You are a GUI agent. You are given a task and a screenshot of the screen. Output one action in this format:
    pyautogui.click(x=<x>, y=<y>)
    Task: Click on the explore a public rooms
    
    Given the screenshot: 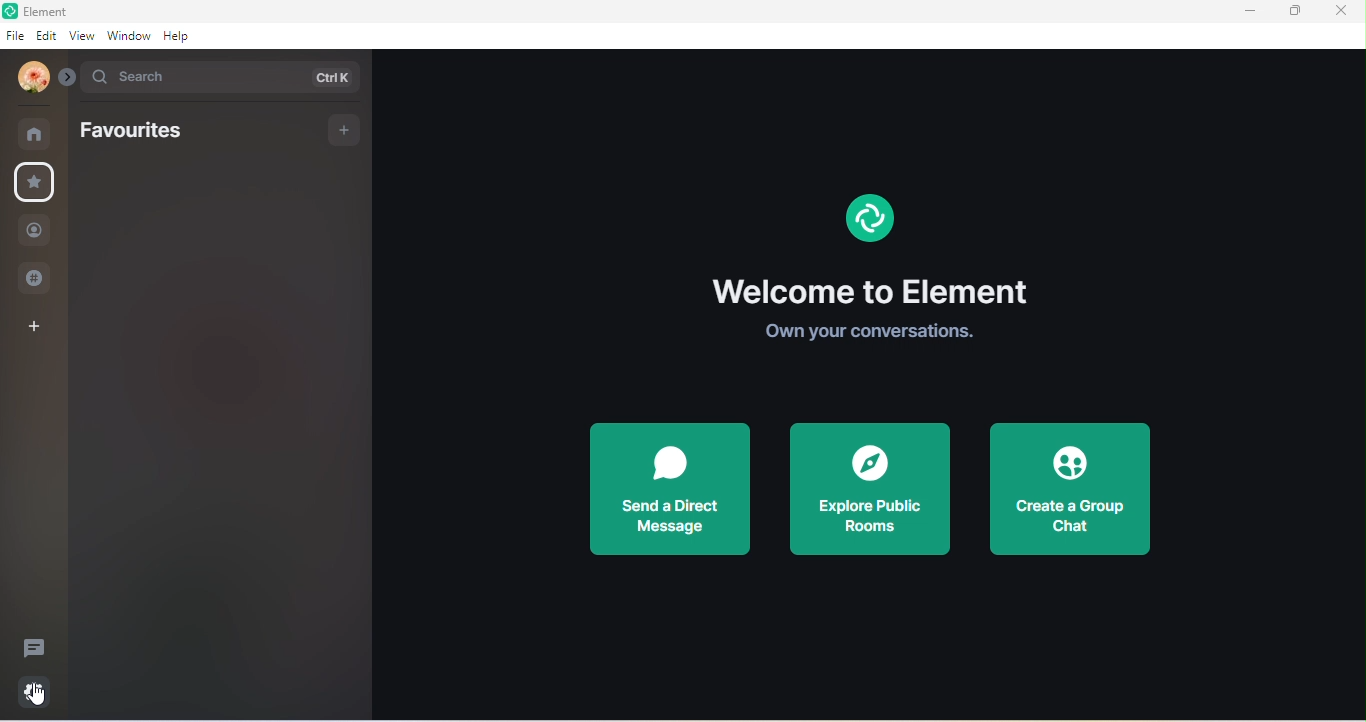 What is the action you would take?
    pyautogui.click(x=870, y=490)
    